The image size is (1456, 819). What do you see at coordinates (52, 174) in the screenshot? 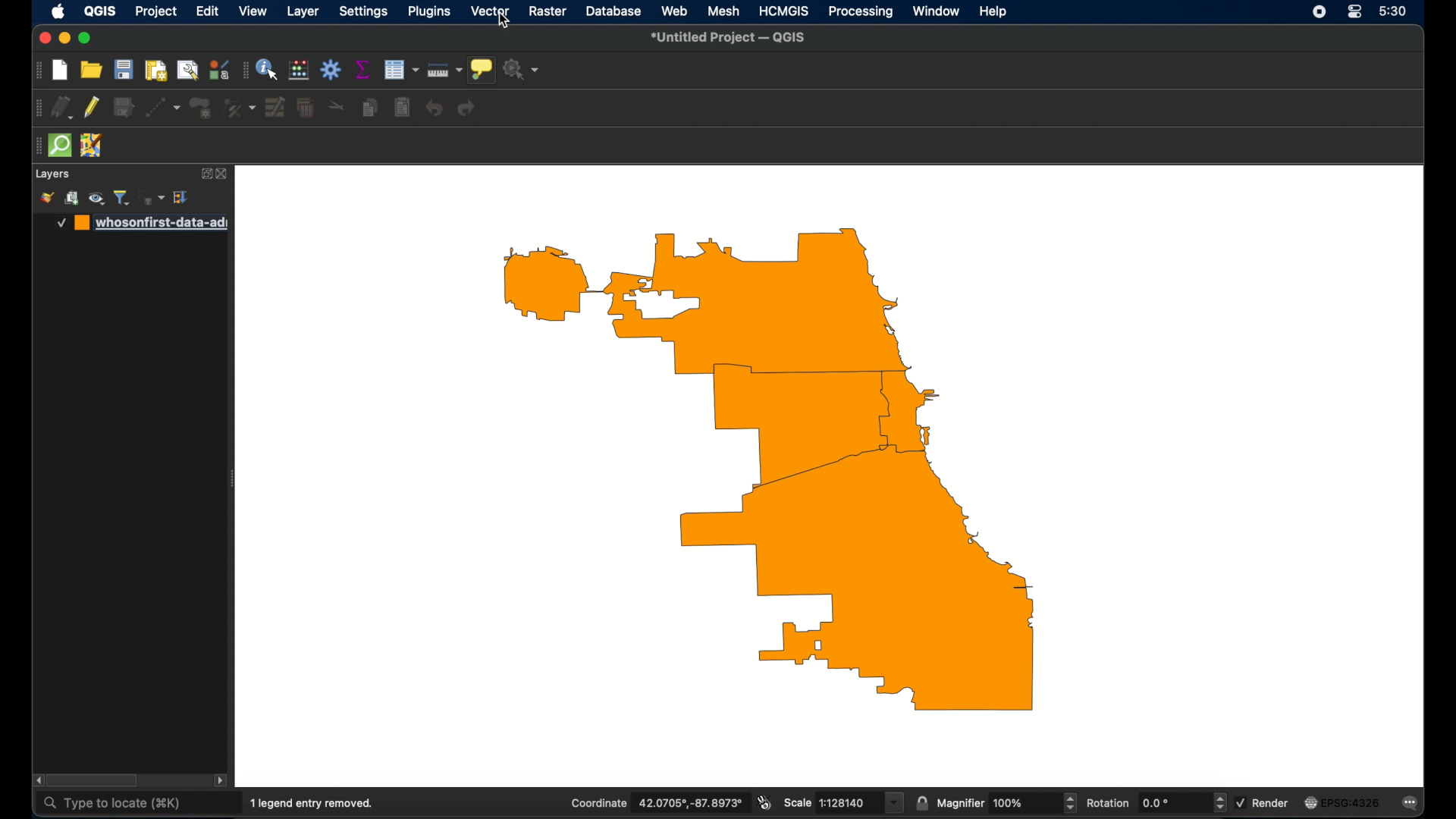
I see `layers` at bounding box center [52, 174].